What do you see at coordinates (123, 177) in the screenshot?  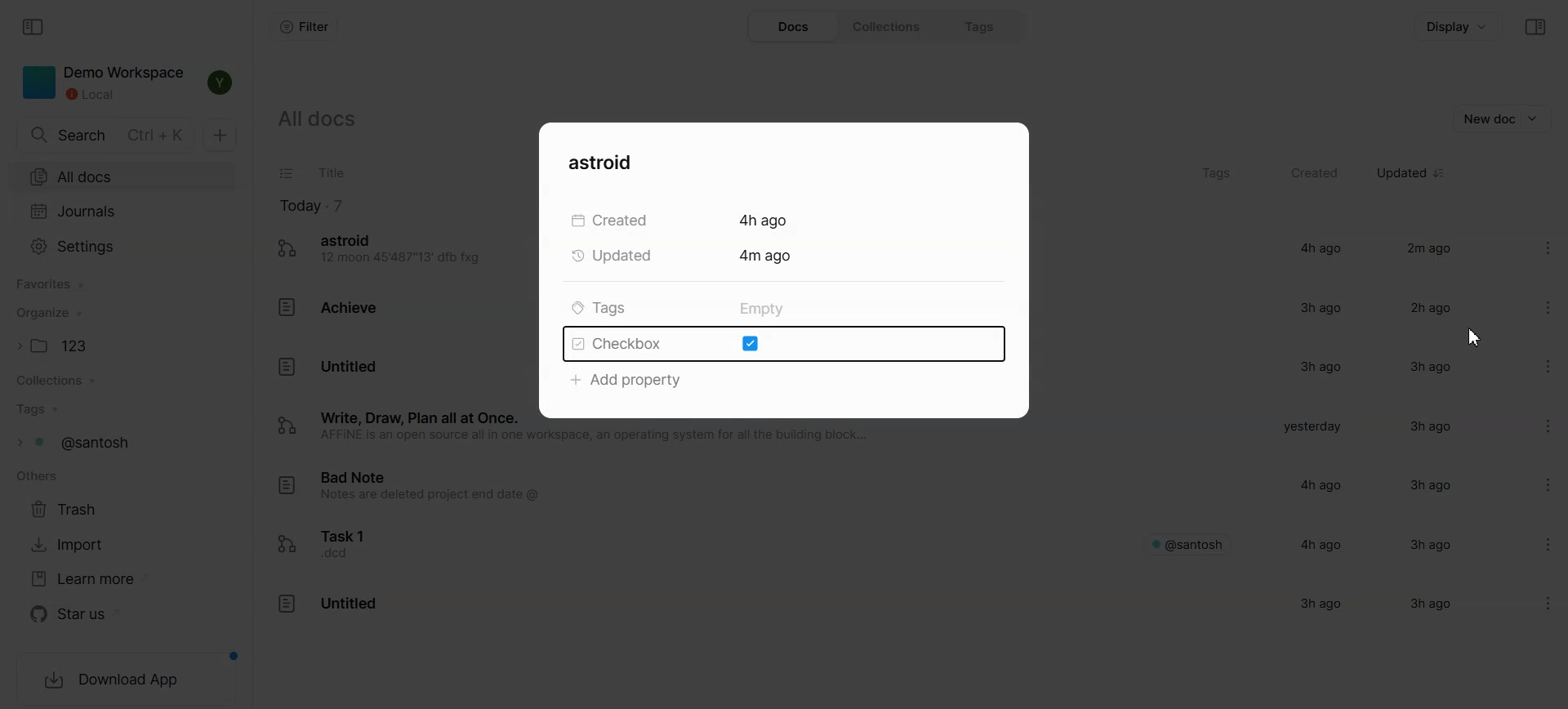 I see `All docs` at bounding box center [123, 177].